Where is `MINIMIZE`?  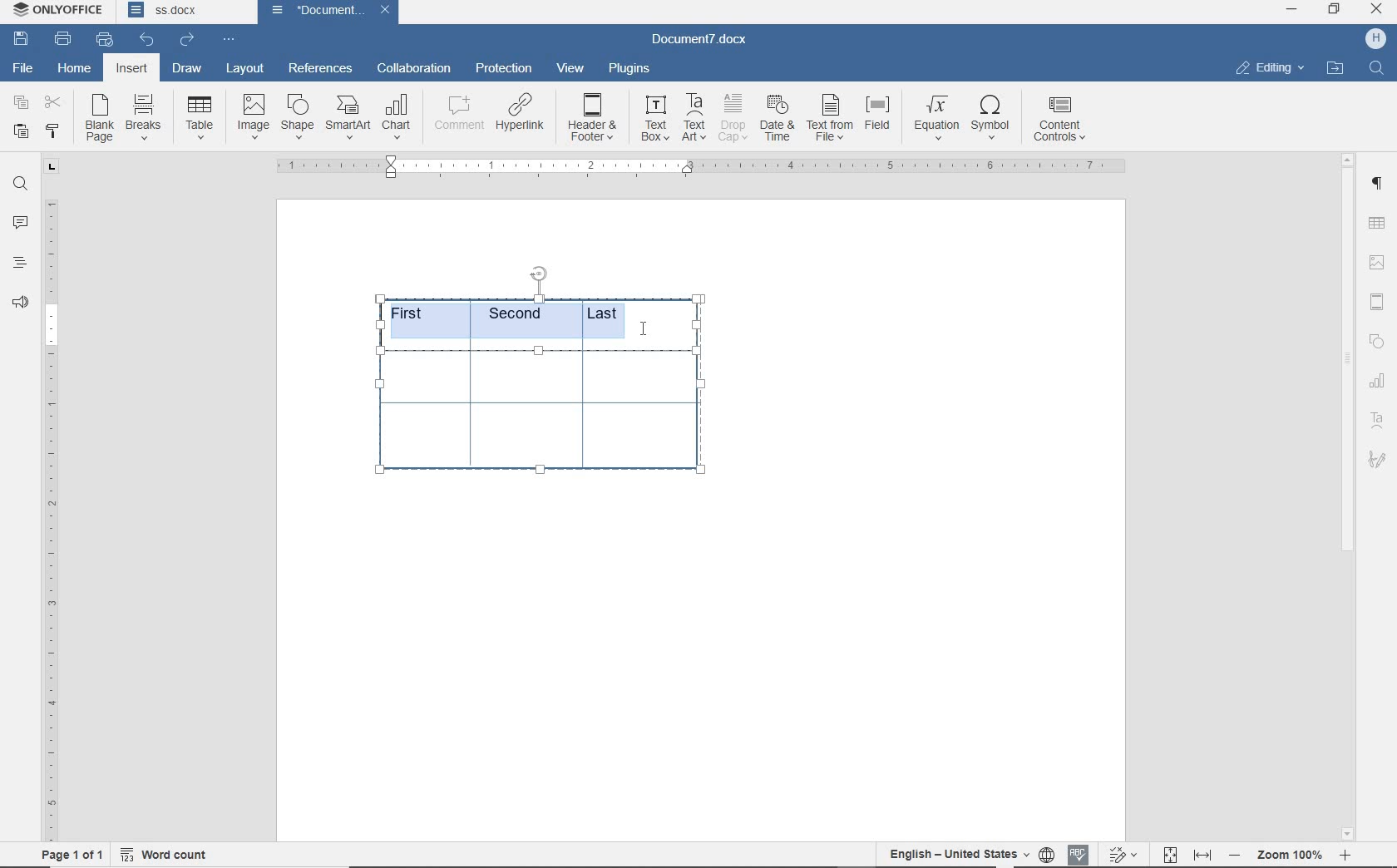
MINIMIZE is located at coordinates (1293, 9).